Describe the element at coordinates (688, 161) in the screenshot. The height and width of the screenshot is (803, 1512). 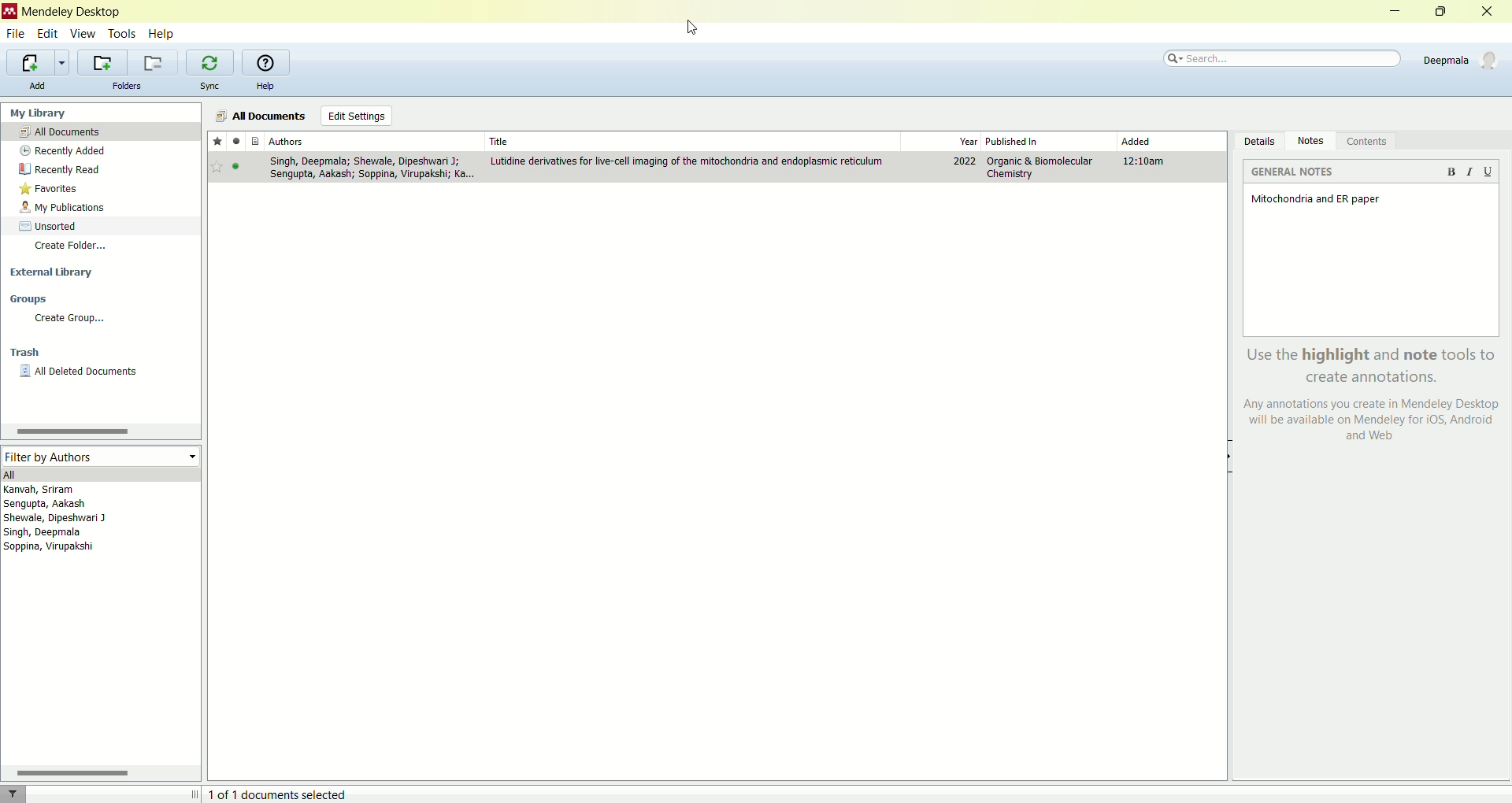
I see `Lutidine derivatives for live-cell imaging of the mitochondria and endoplasmic reticulum` at that location.